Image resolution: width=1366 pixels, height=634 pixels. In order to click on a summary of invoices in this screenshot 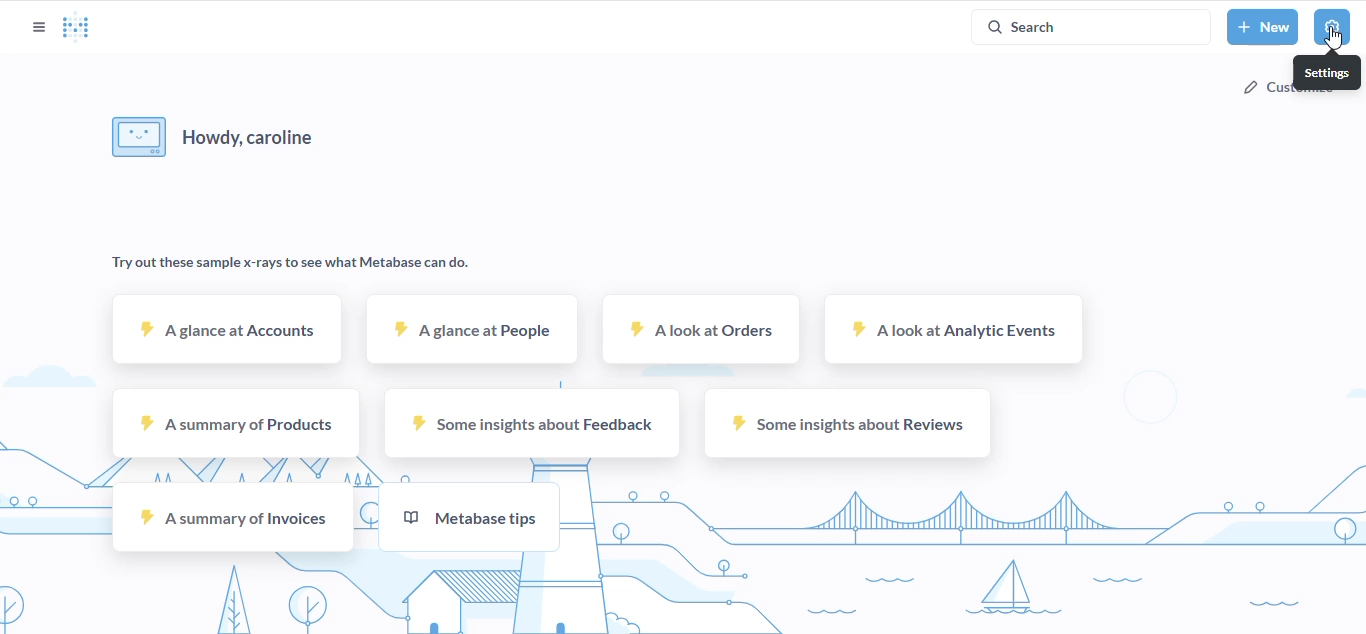, I will do `click(231, 516)`.